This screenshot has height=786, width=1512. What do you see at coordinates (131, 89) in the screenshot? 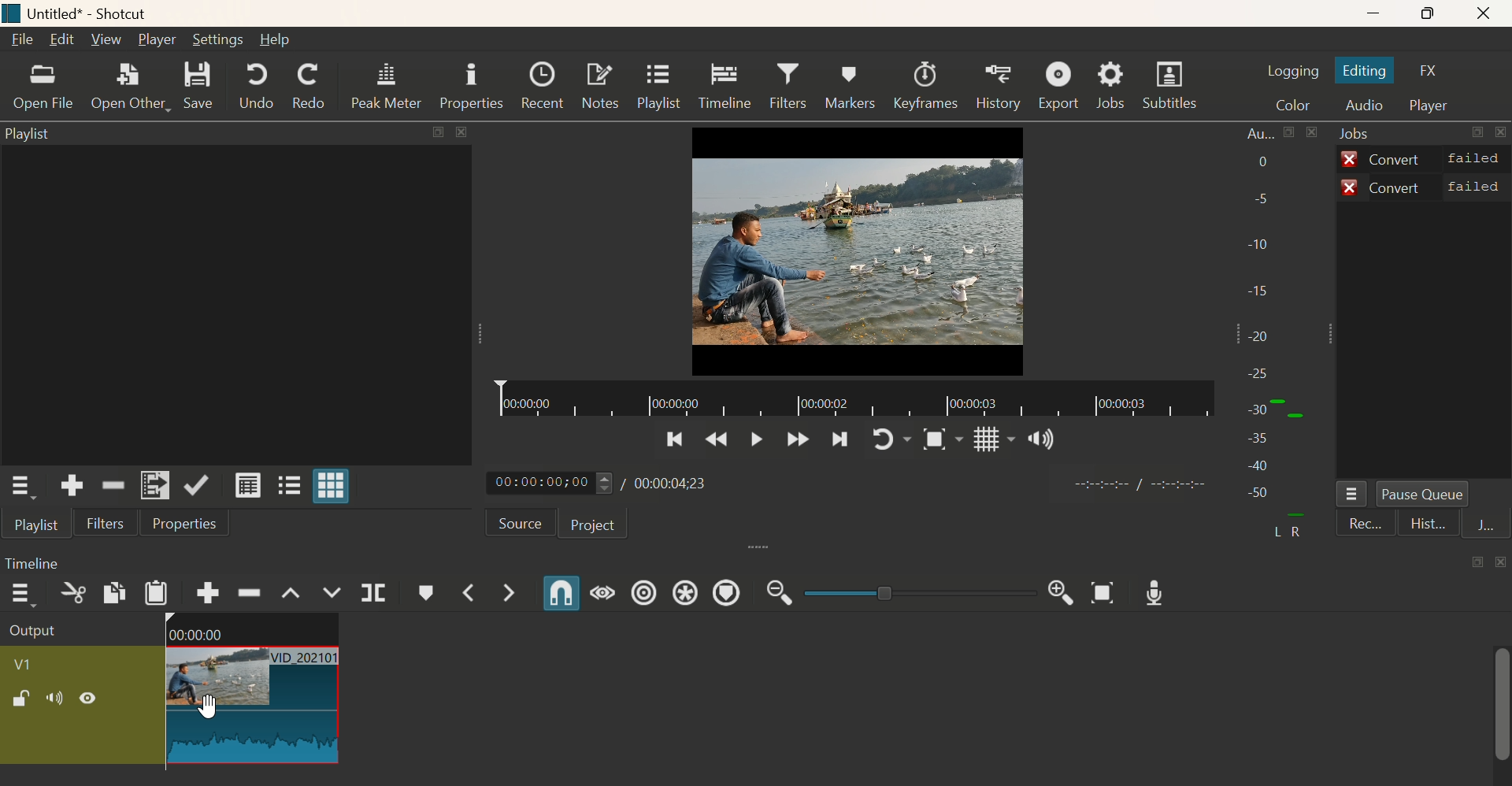
I see `Open Other` at bounding box center [131, 89].